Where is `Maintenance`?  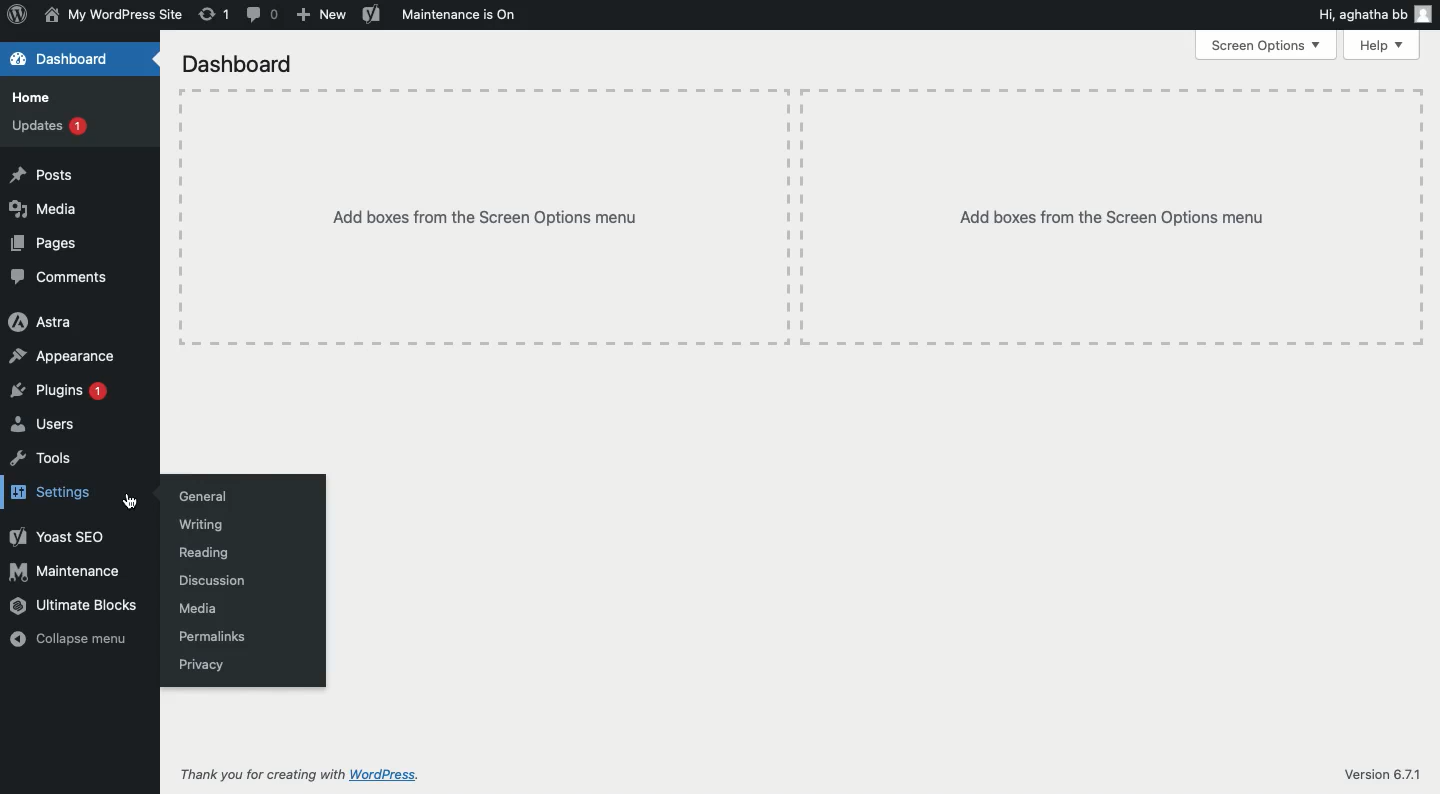 Maintenance is located at coordinates (67, 573).